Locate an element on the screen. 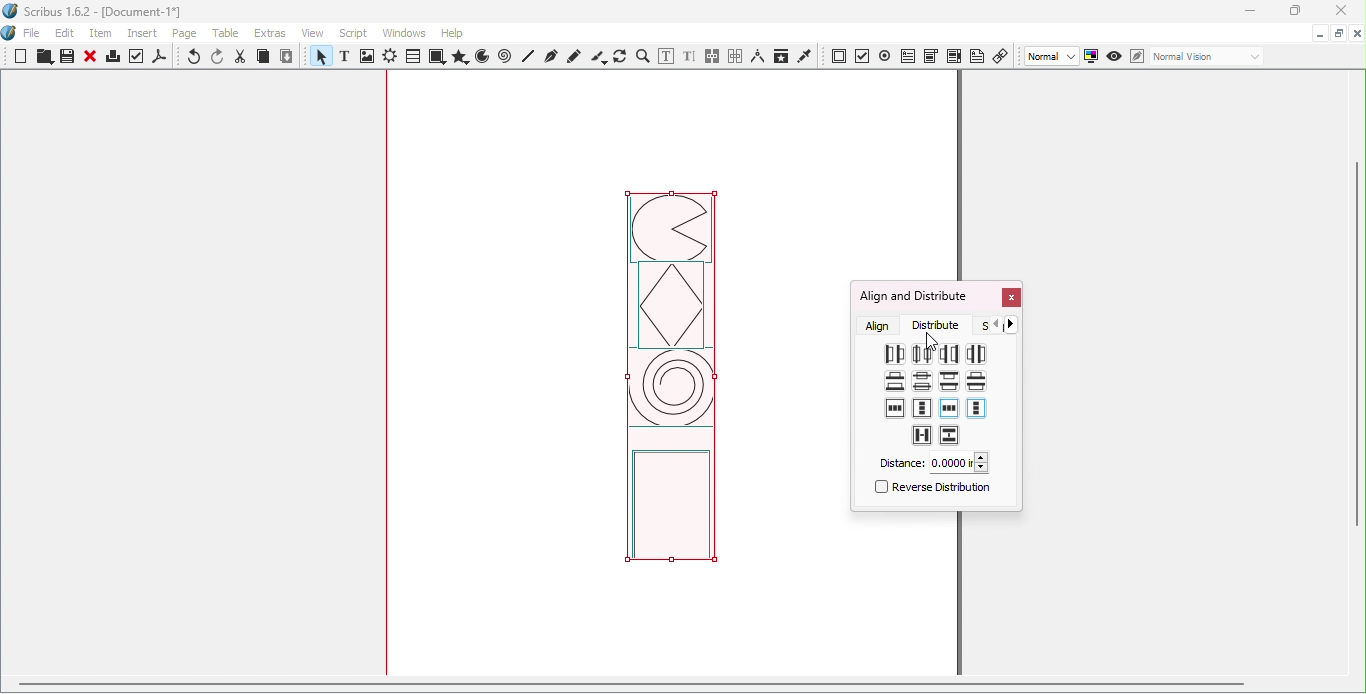 The height and width of the screenshot is (694, 1366). Paste is located at coordinates (287, 57).